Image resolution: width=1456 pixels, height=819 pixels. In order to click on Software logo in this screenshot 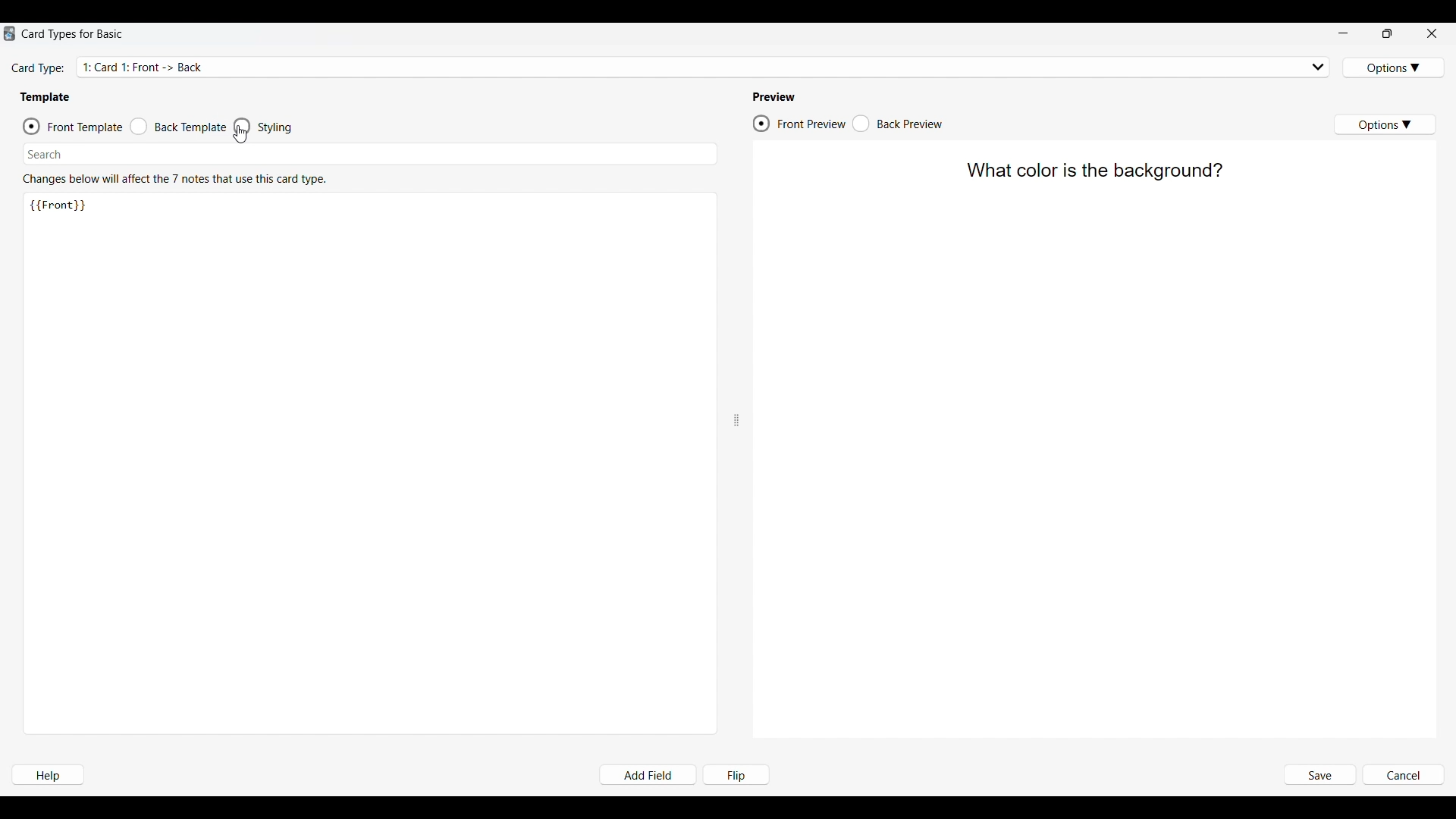, I will do `click(9, 33)`.